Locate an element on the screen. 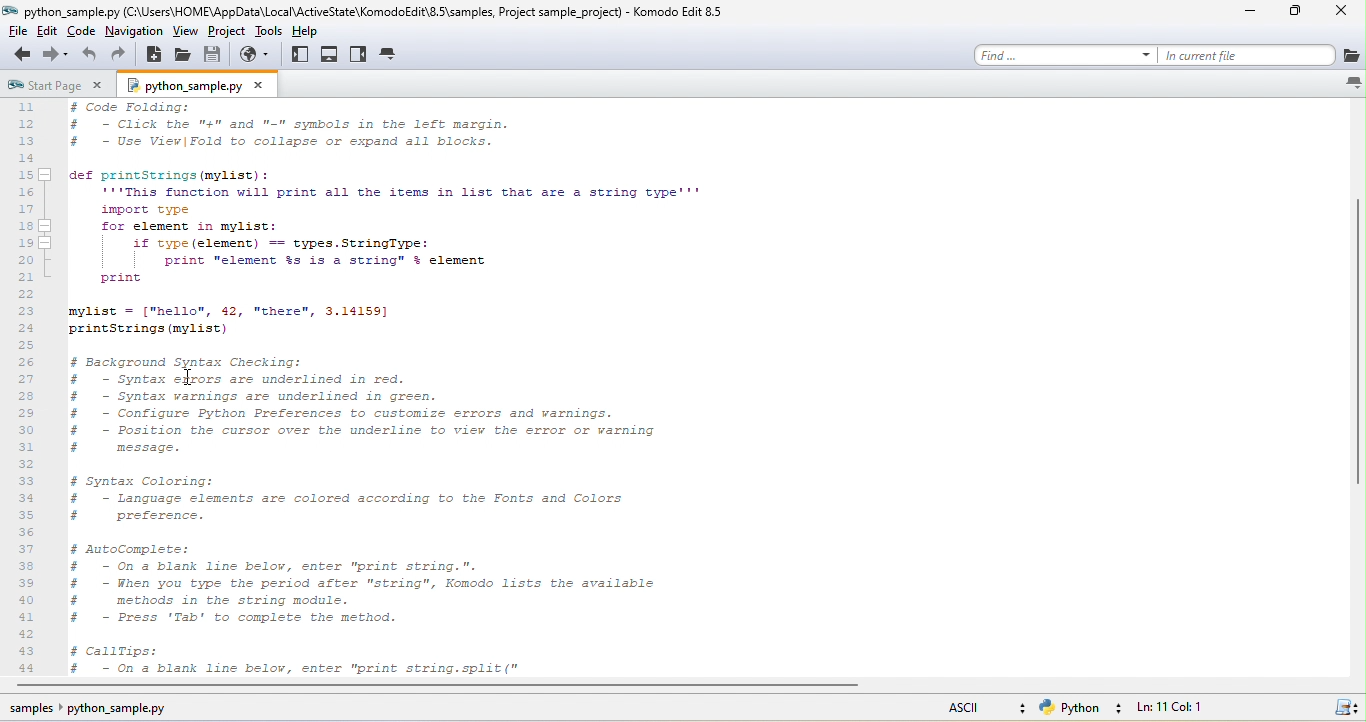 The width and height of the screenshot is (1366, 722). left pane is located at coordinates (296, 54).